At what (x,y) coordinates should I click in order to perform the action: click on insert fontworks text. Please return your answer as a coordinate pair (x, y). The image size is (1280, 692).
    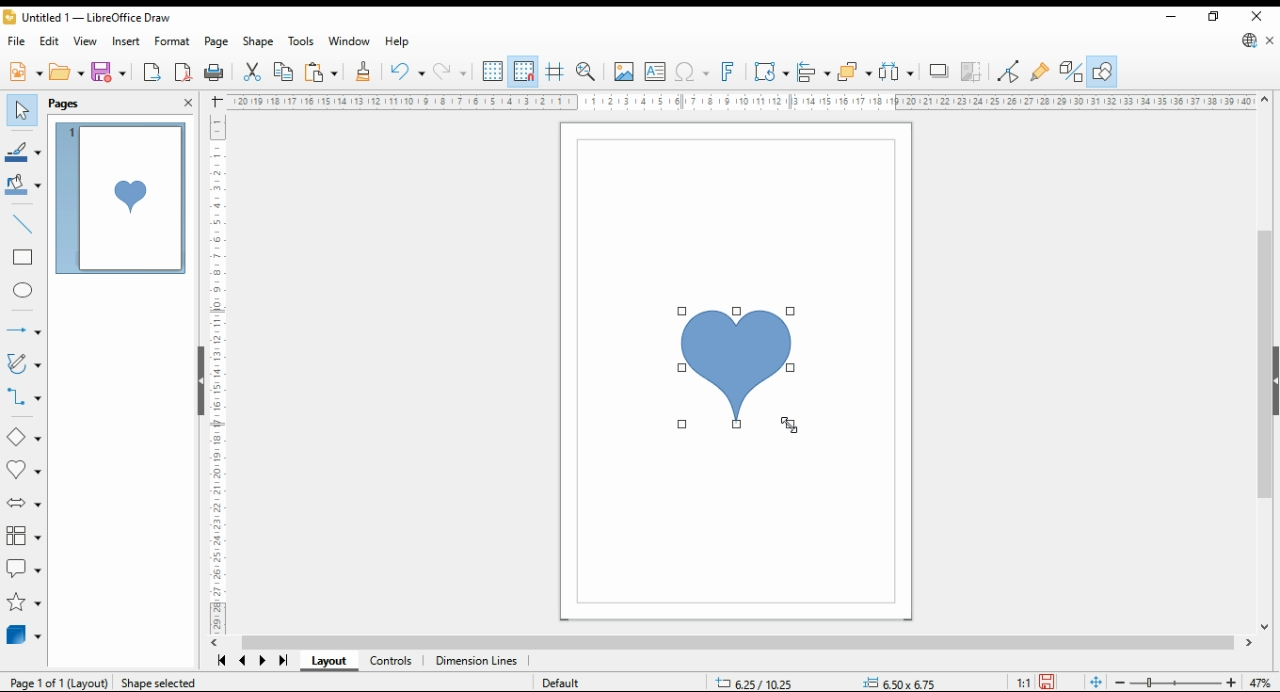
    Looking at the image, I should click on (730, 72).